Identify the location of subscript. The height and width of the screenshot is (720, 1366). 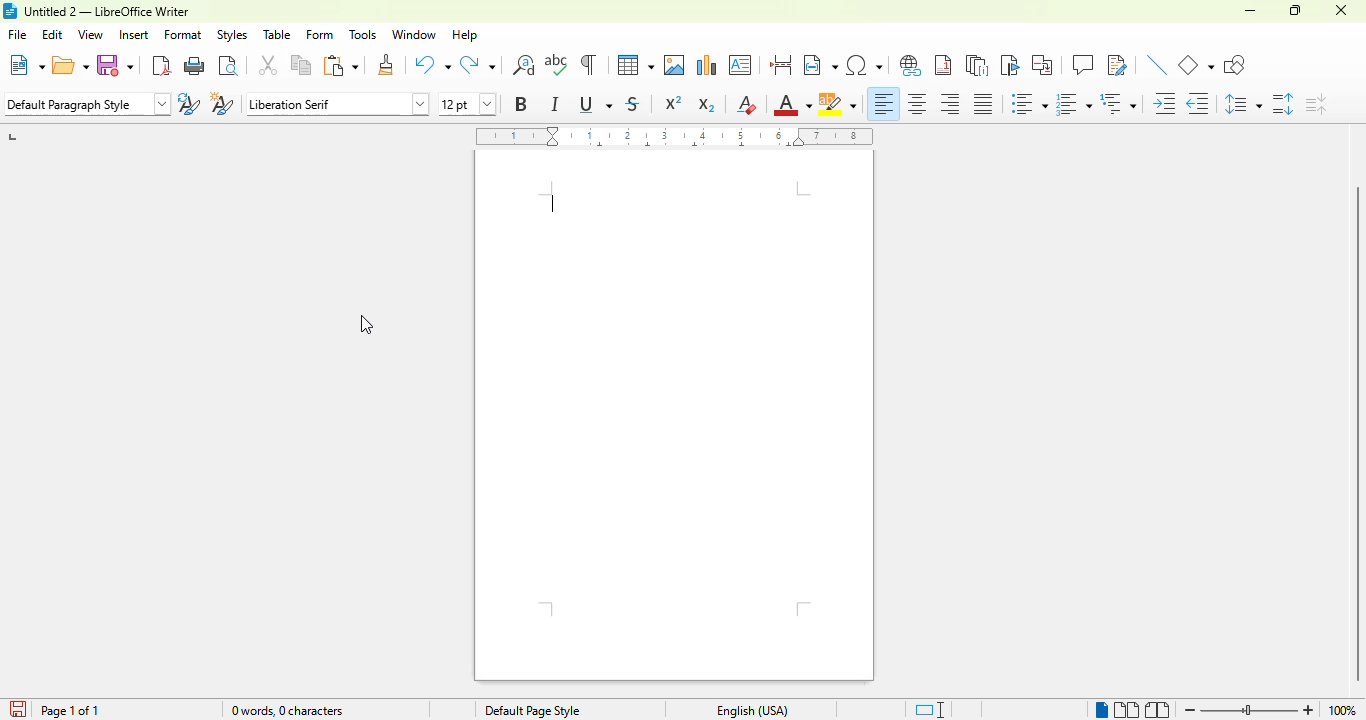
(707, 104).